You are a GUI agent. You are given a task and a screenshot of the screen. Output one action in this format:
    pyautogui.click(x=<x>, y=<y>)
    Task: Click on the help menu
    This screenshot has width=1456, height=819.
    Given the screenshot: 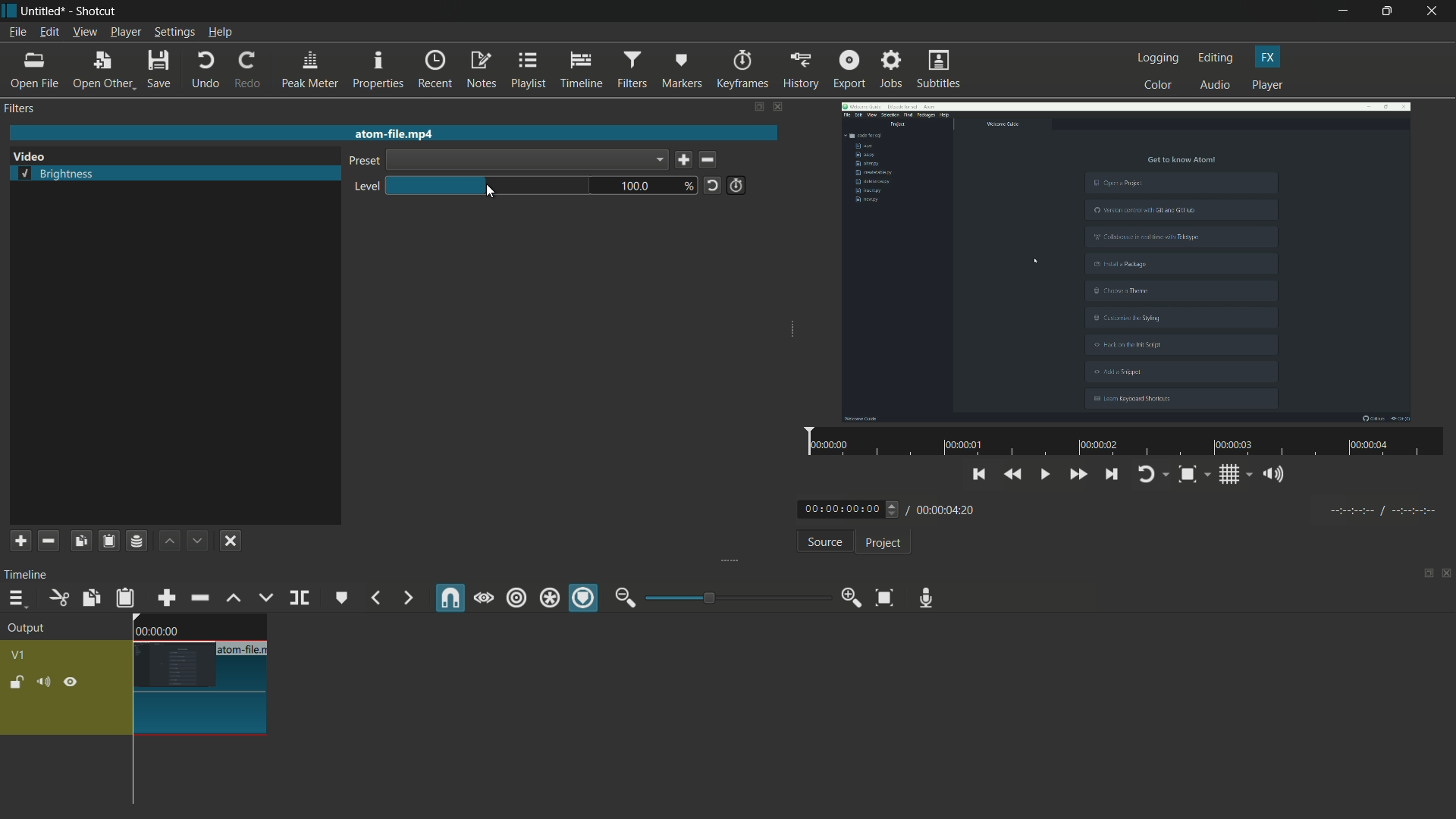 What is the action you would take?
    pyautogui.click(x=221, y=33)
    